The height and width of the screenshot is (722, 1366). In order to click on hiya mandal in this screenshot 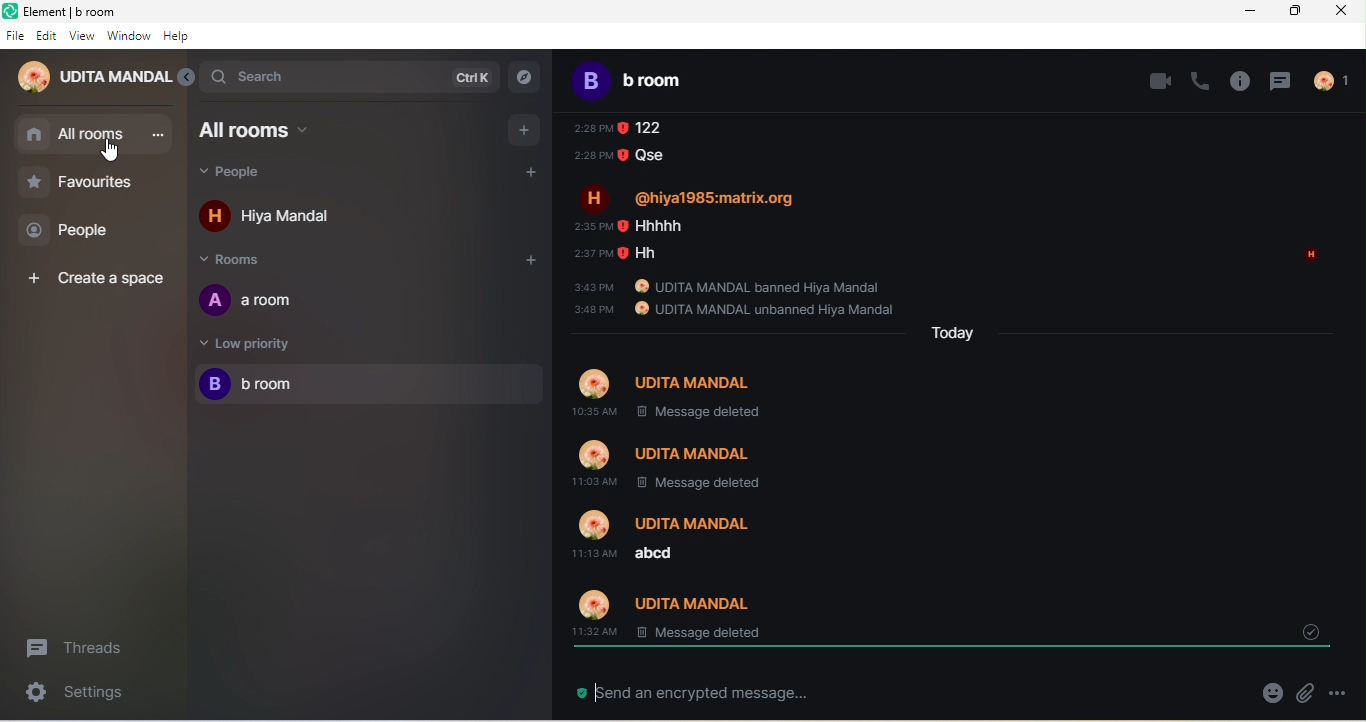, I will do `click(277, 215)`.